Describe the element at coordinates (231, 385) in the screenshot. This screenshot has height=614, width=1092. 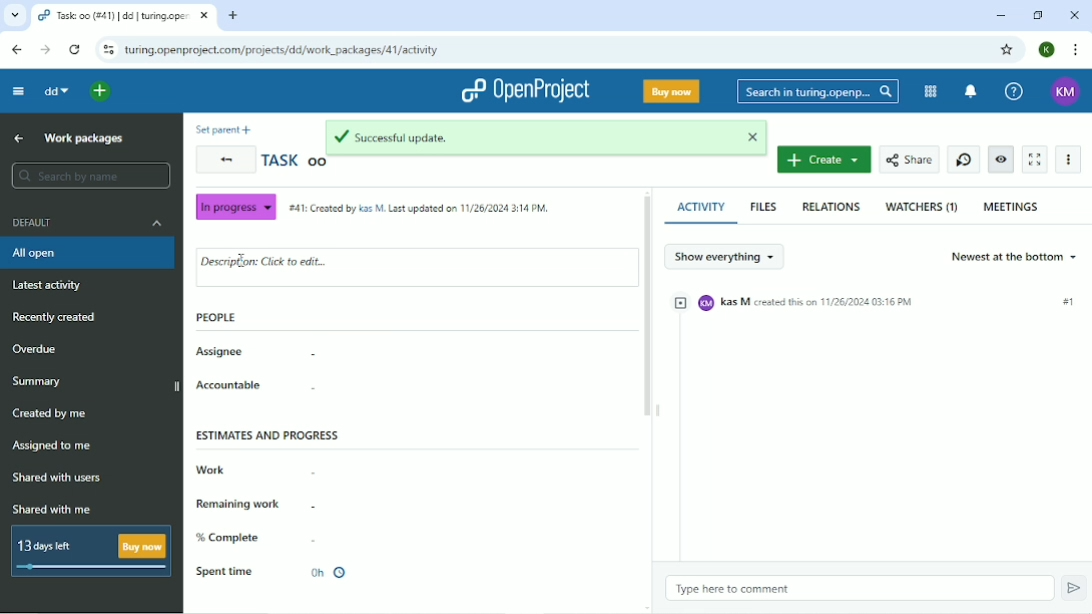
I see `Accountable` at that location.